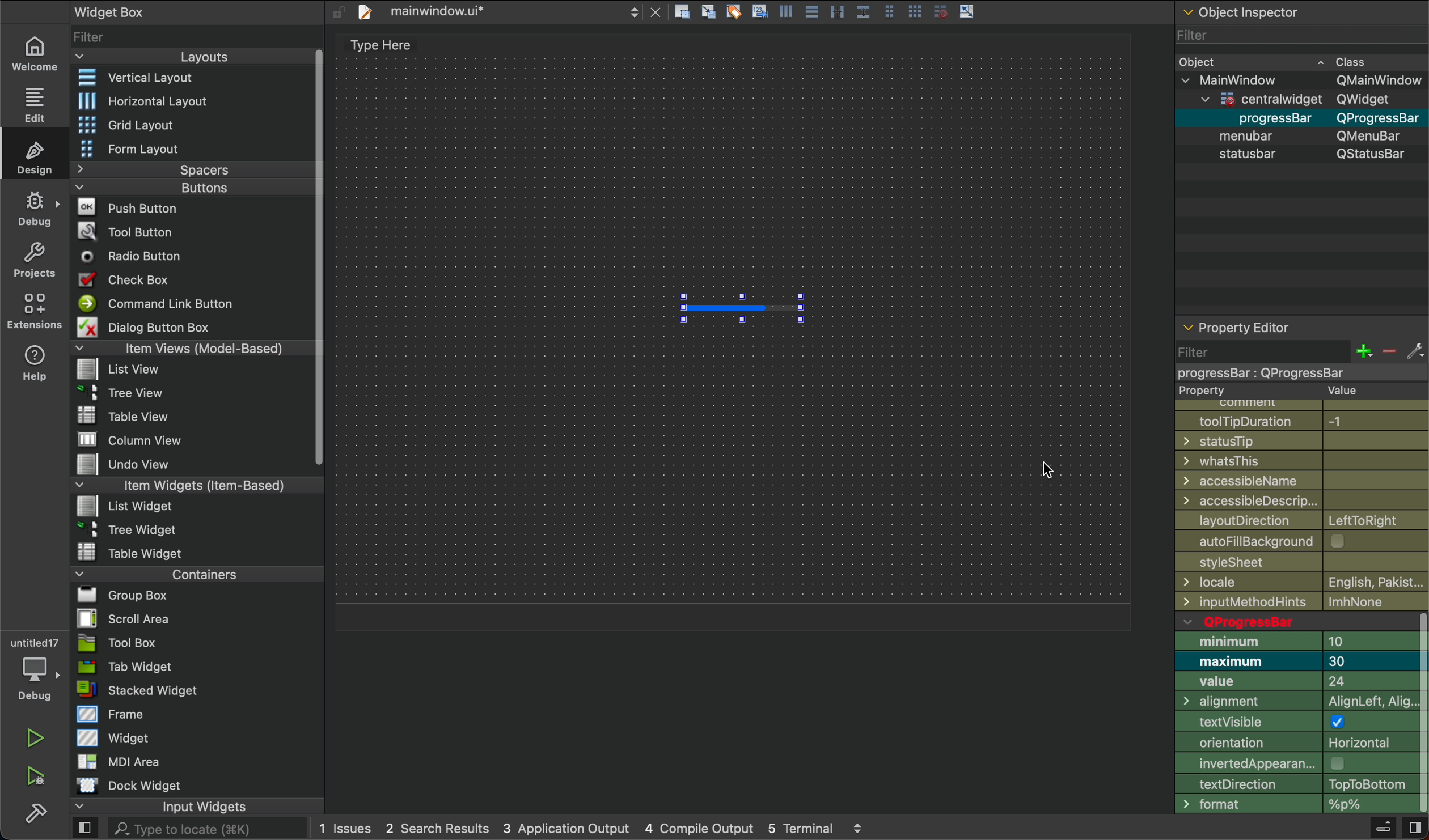 The width and height of the screenshot is (1429, 840). Describe the element at coordinates (1303, 461) in the screenshot. I see `whatsthis` at that location.